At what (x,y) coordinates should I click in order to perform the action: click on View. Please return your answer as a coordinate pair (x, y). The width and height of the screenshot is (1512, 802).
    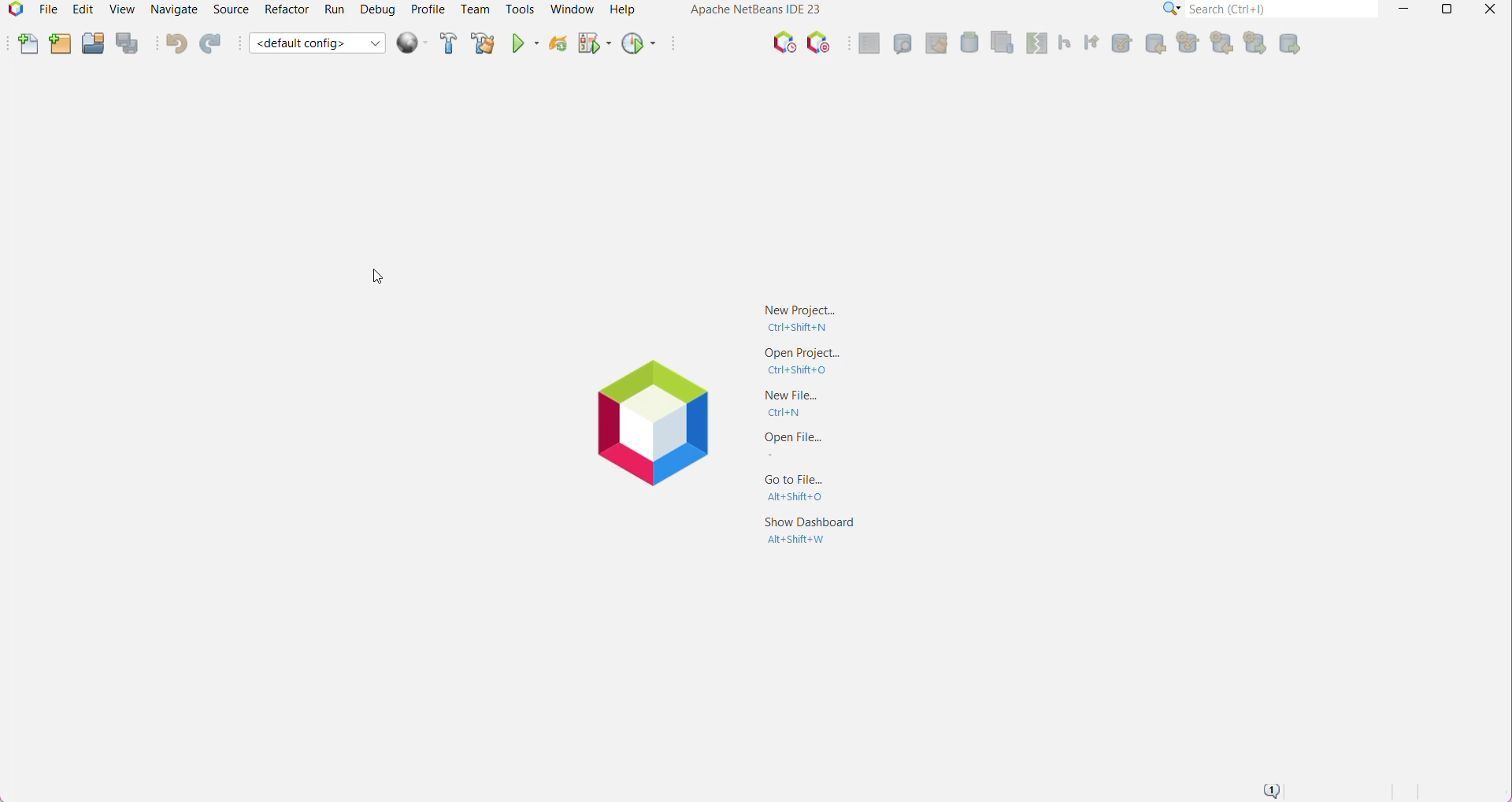
    Looking at the image, I should click on (120, 12).